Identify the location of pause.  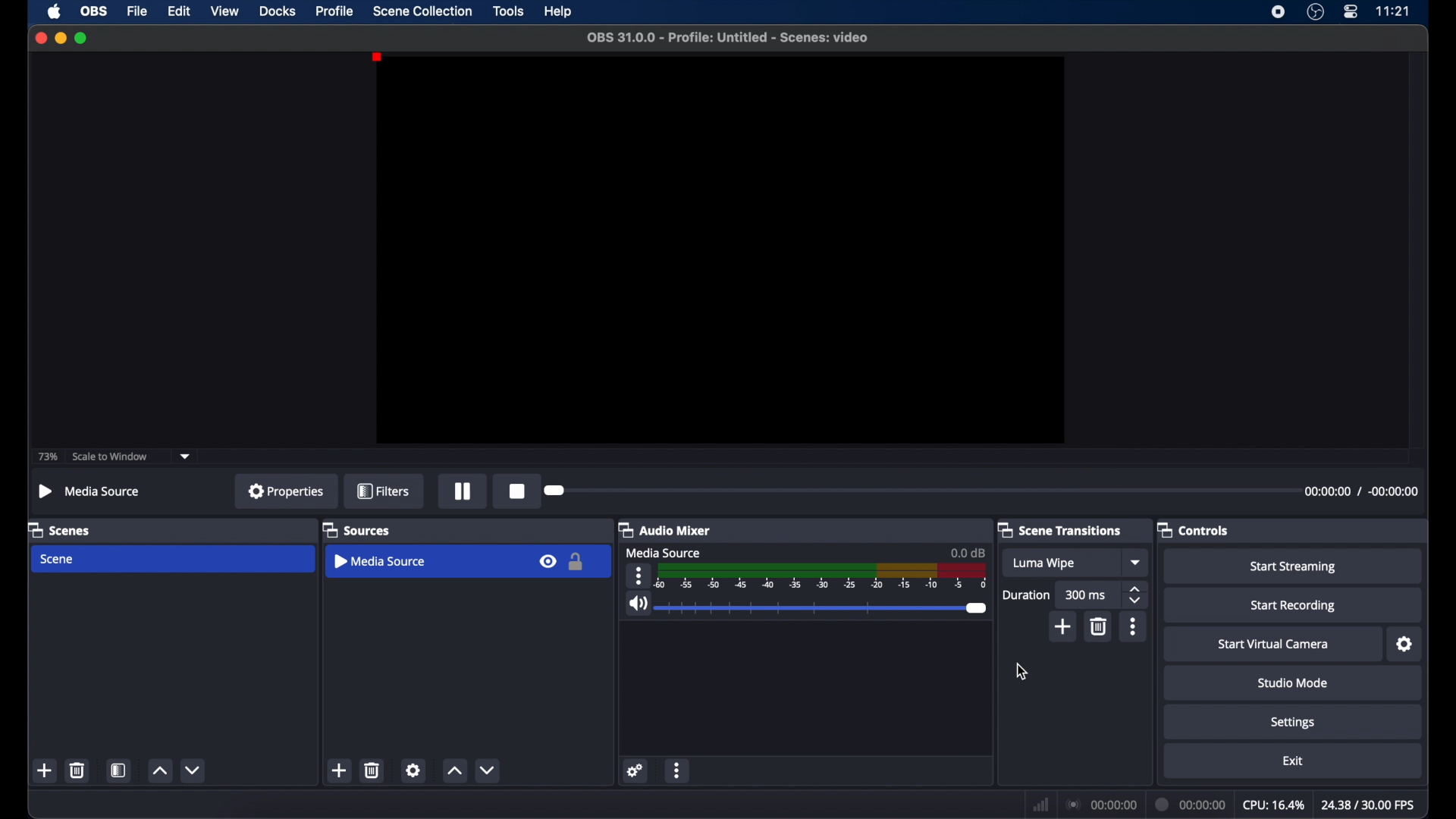
(464, 491).